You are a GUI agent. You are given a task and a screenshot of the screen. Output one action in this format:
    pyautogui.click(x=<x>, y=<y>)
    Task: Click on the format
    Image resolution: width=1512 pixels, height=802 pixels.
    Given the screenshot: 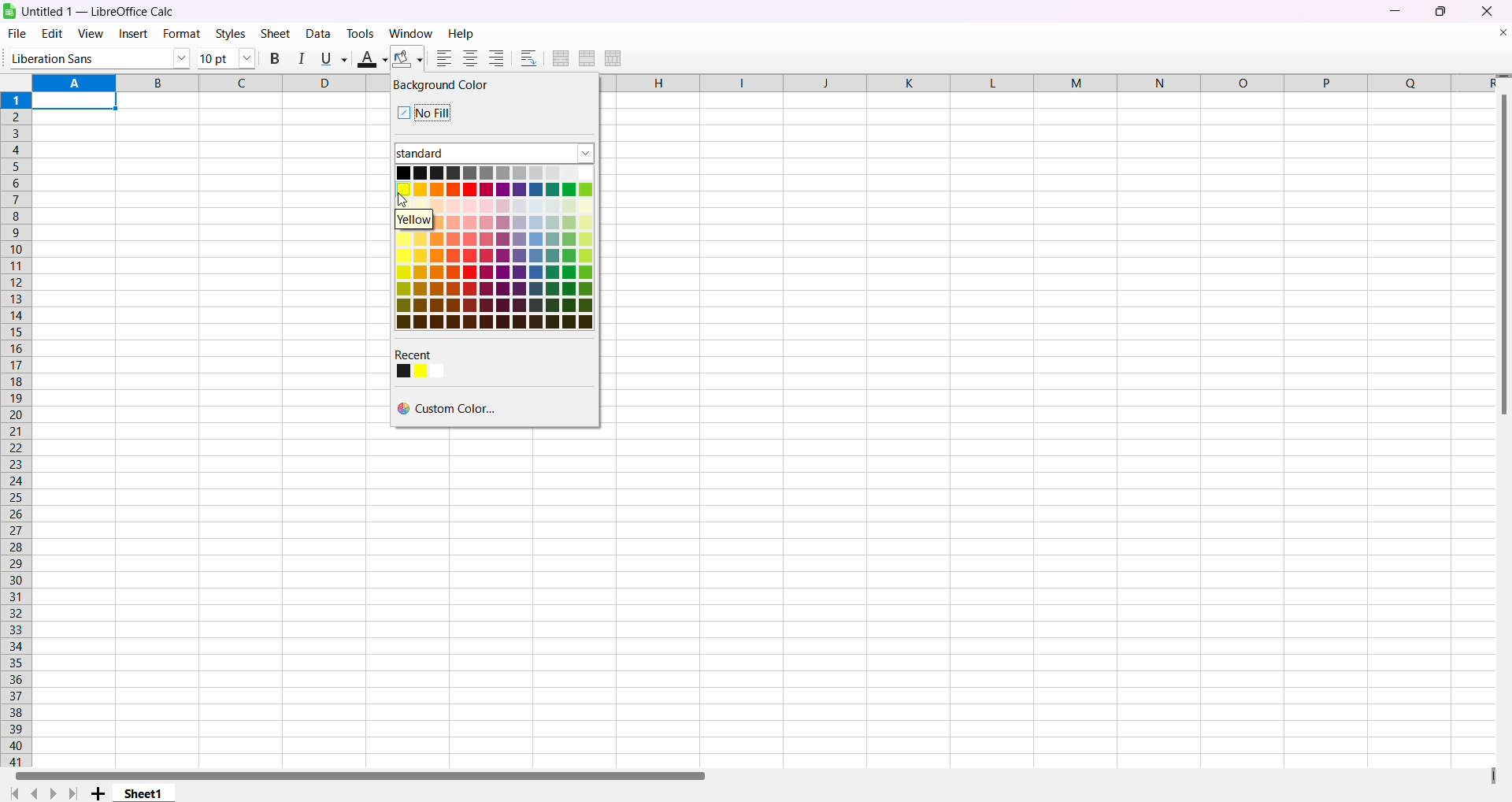 What is the action you would take?
    pyautogui.click(x=179, y=34)
    